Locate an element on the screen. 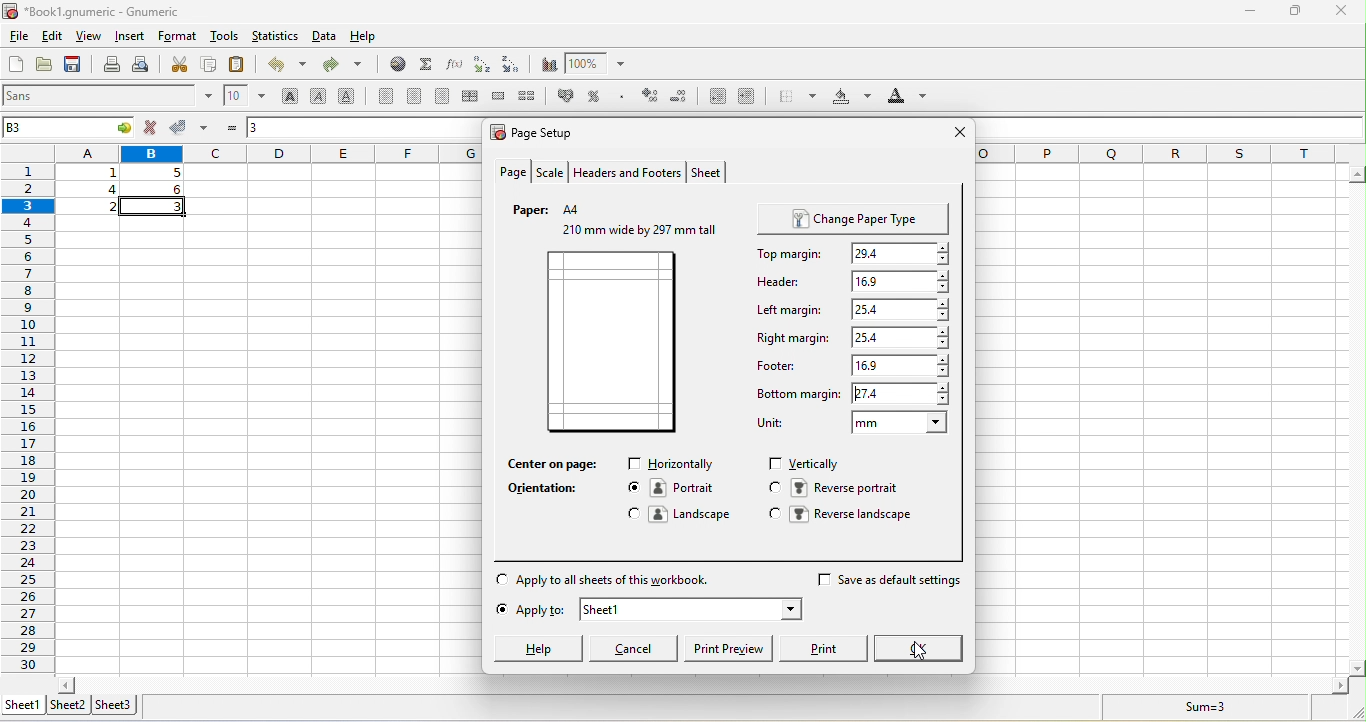  bold is located at coordinates (288, 97).